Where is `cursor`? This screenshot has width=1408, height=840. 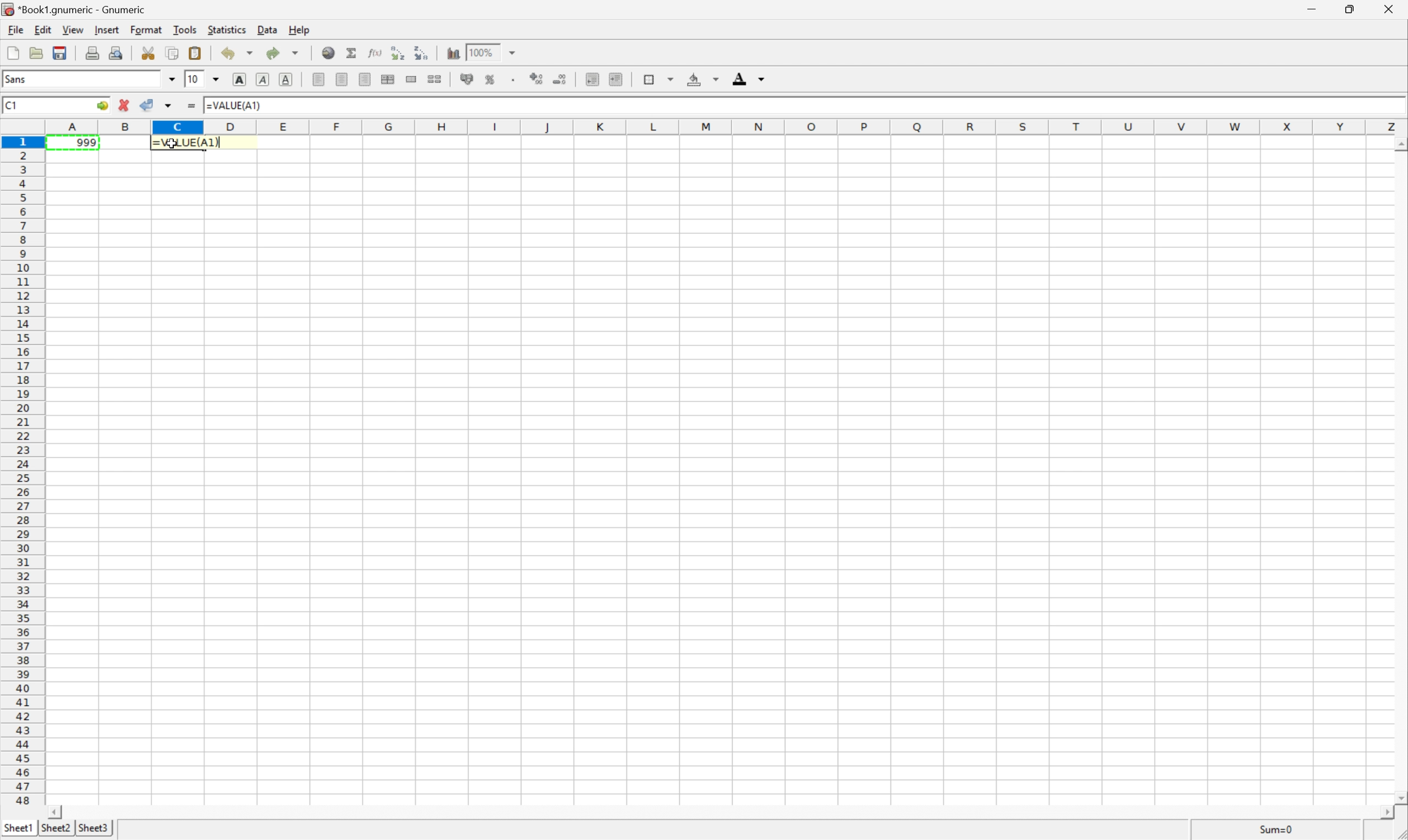 cursor is located at coordinates (176, 147).